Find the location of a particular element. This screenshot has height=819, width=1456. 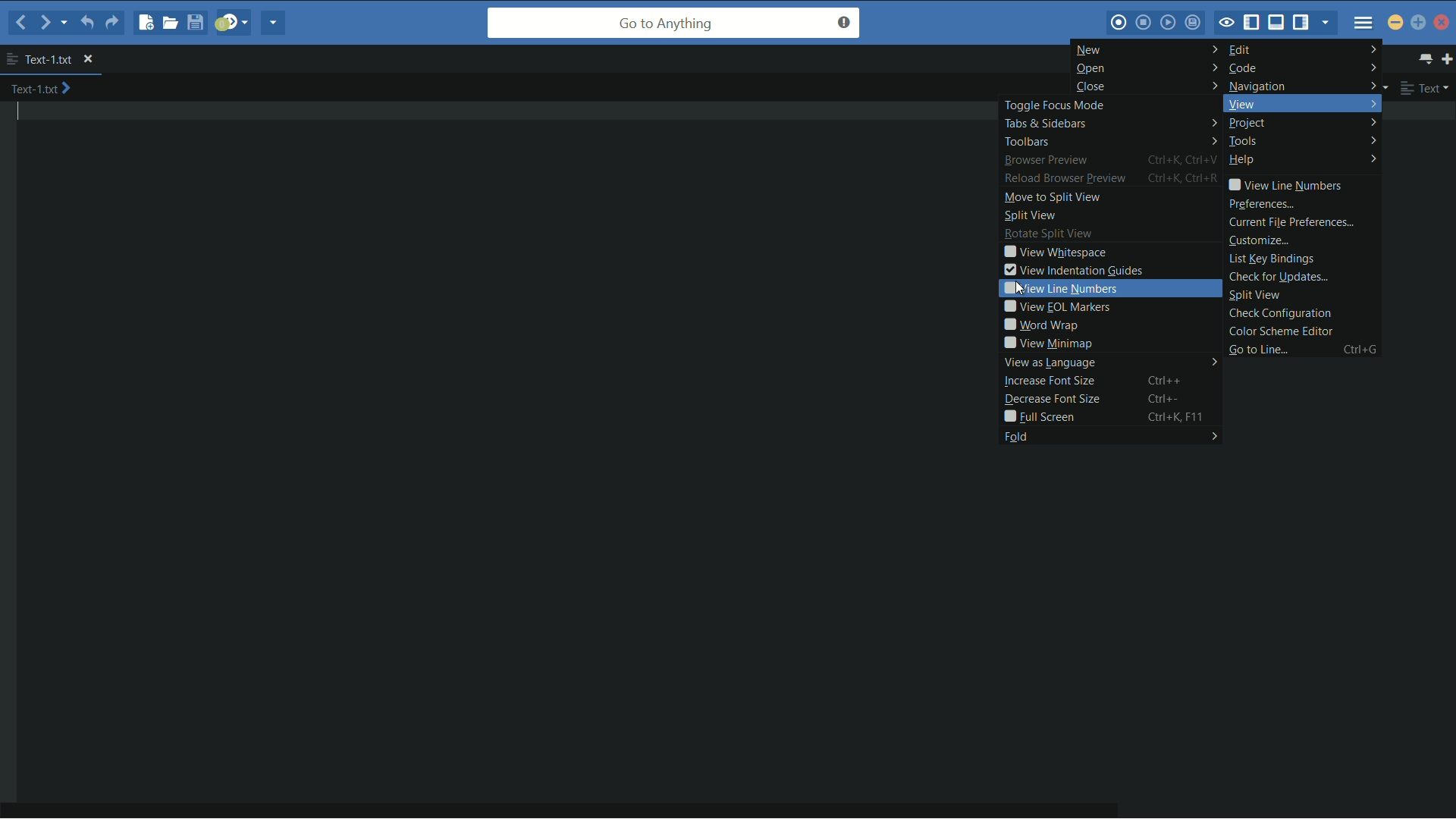

increase font size is located at coordinates (1048, 381).